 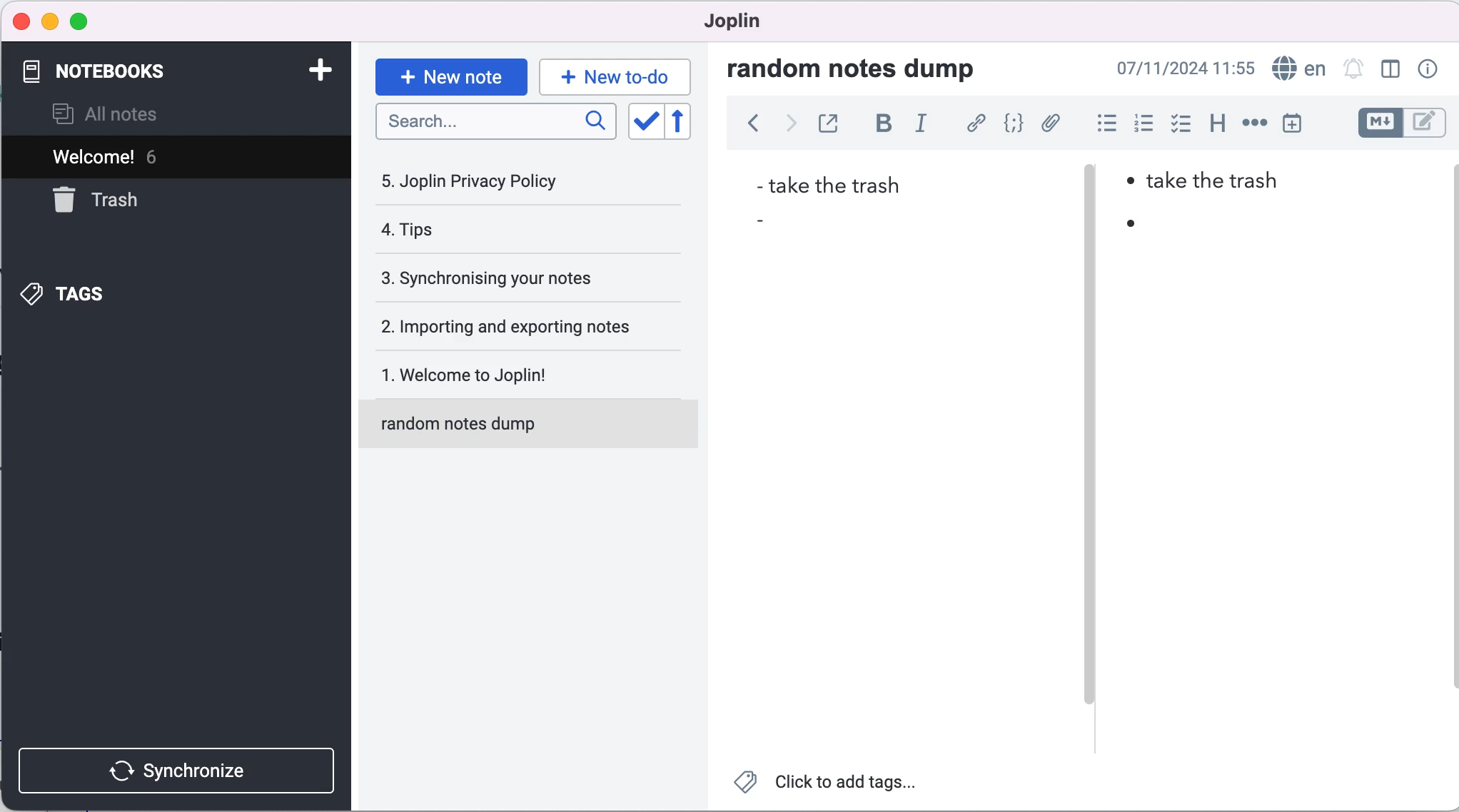 I want to click on toggle editor layout, so click(x=1390, y=70).